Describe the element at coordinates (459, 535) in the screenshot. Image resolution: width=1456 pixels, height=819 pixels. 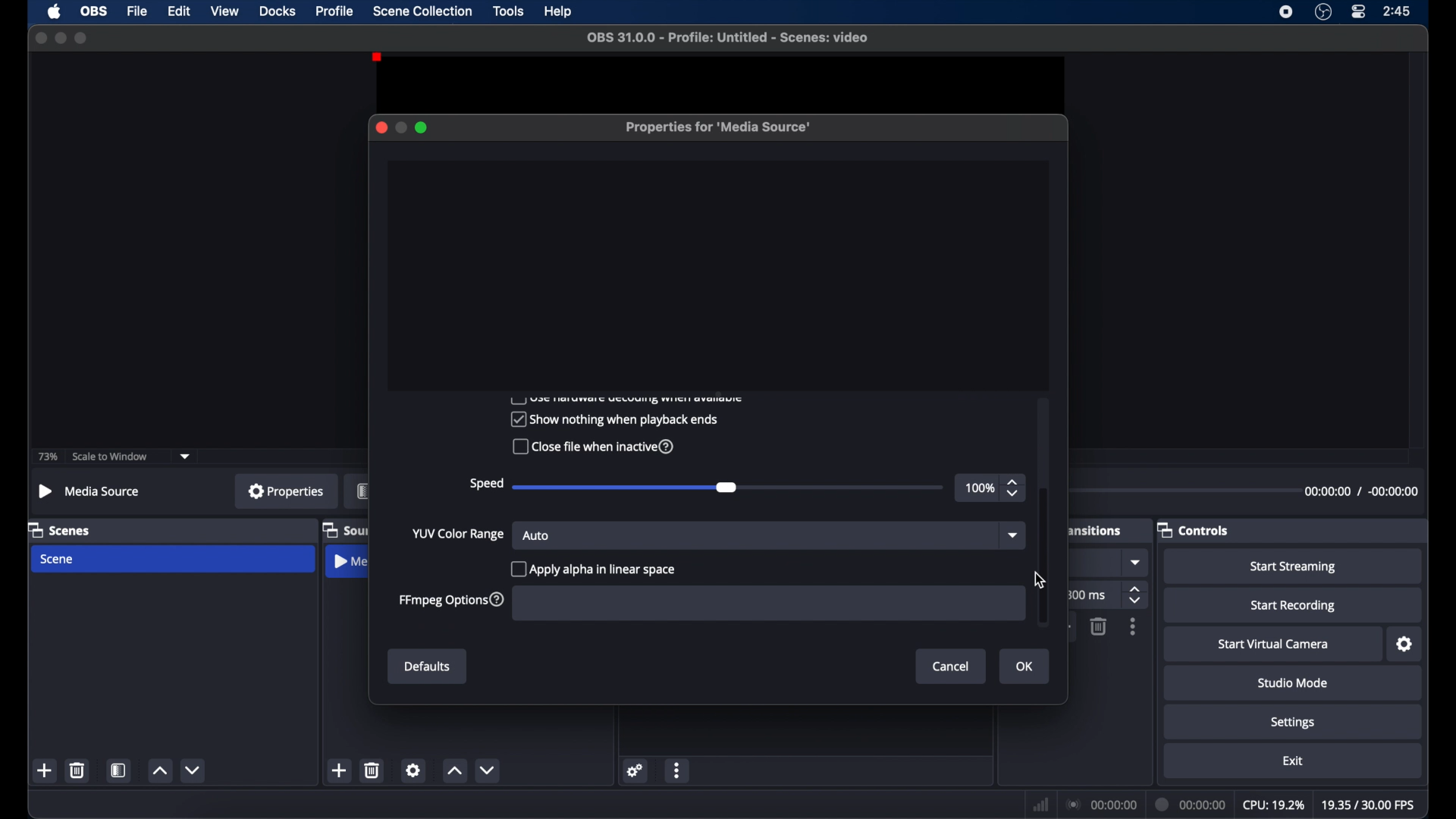
I see `yup color range` at that location.